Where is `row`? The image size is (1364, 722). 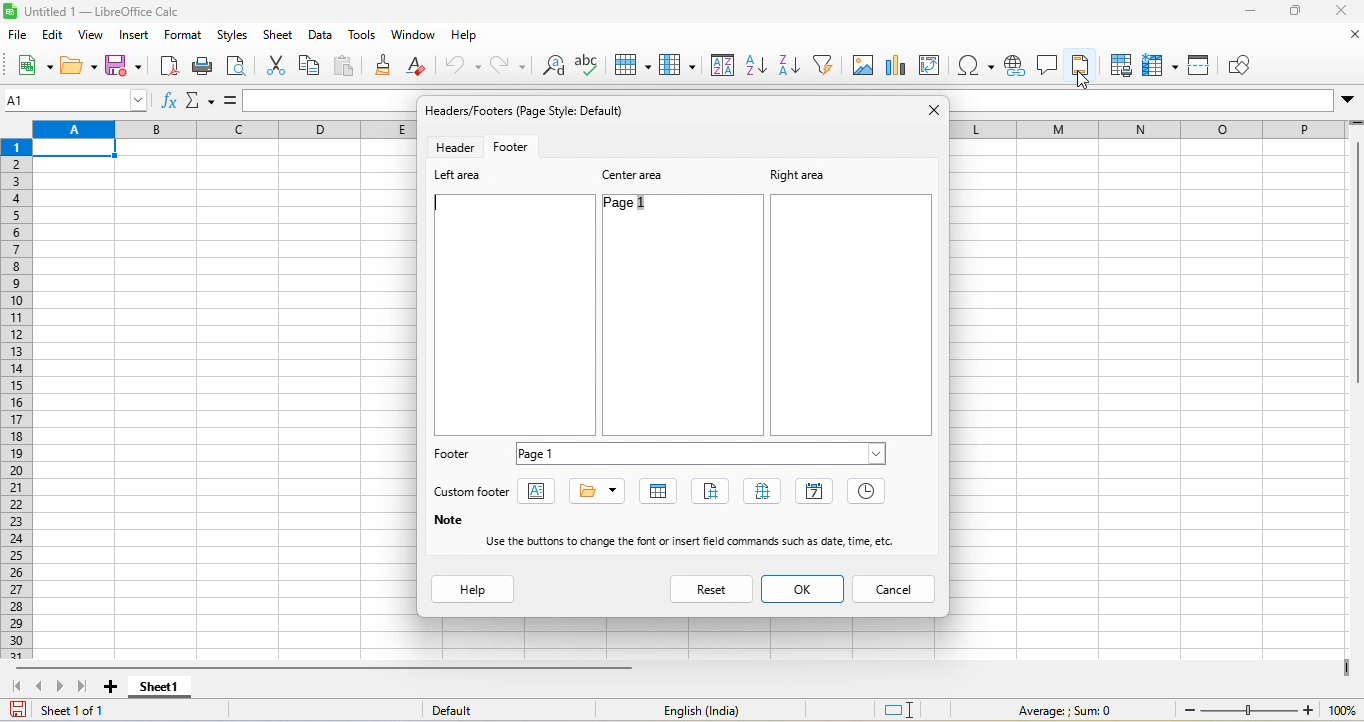 row is located at coordinates (637, 64).